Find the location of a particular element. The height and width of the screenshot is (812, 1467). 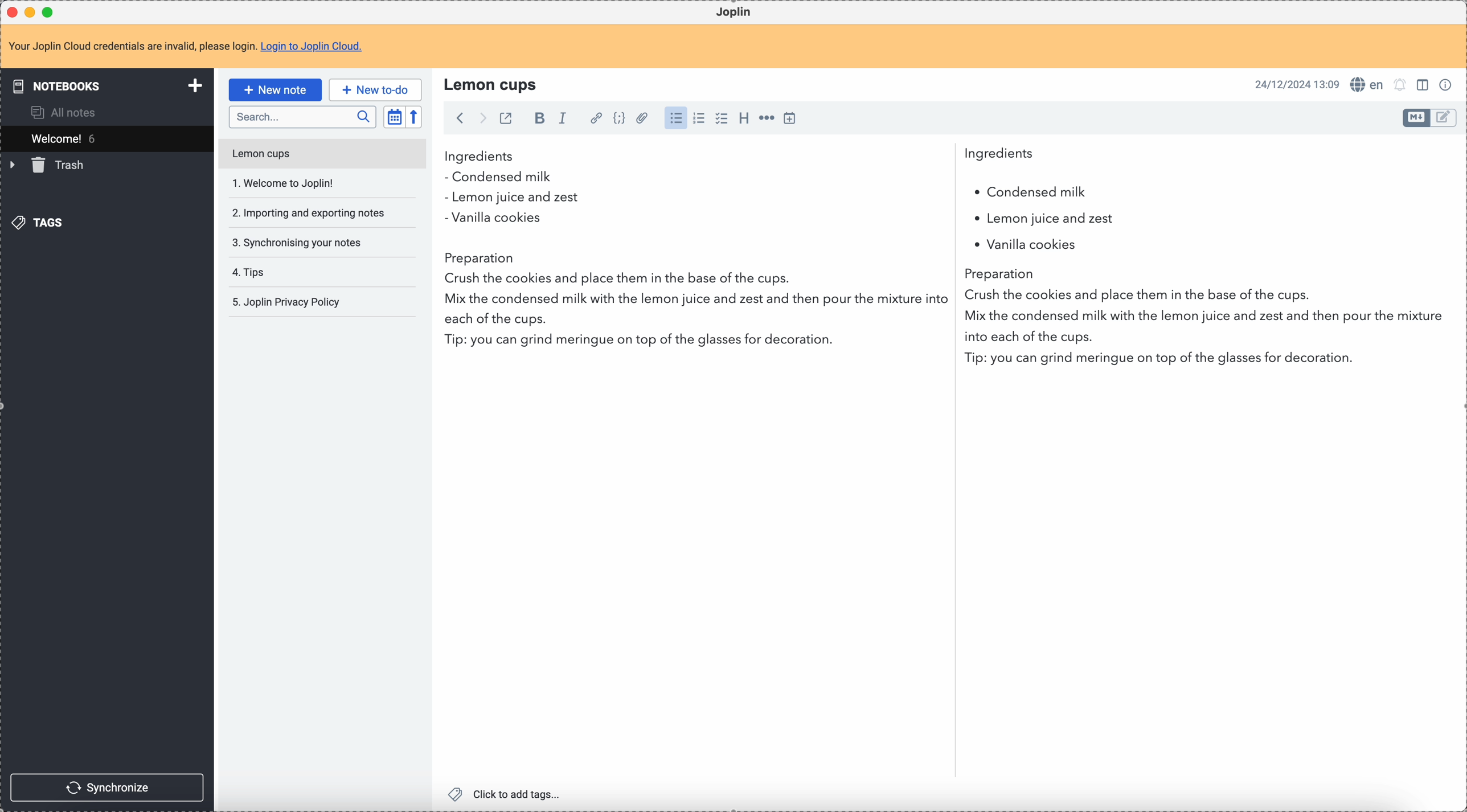

italic is located at coordinates (562, 117).